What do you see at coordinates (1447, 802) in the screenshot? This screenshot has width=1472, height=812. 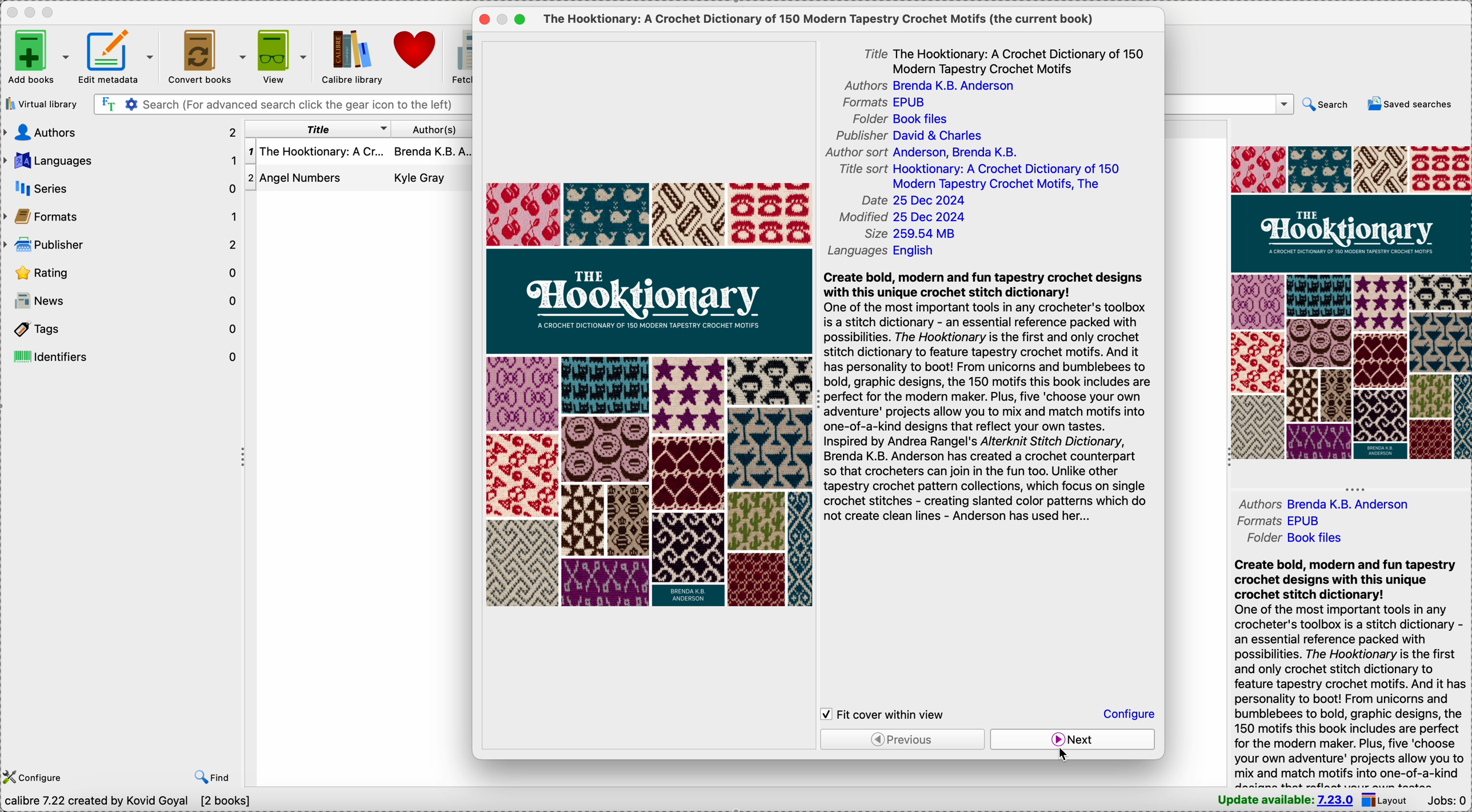 I see `Jobs: 0` at bounding box center [1447, 802].